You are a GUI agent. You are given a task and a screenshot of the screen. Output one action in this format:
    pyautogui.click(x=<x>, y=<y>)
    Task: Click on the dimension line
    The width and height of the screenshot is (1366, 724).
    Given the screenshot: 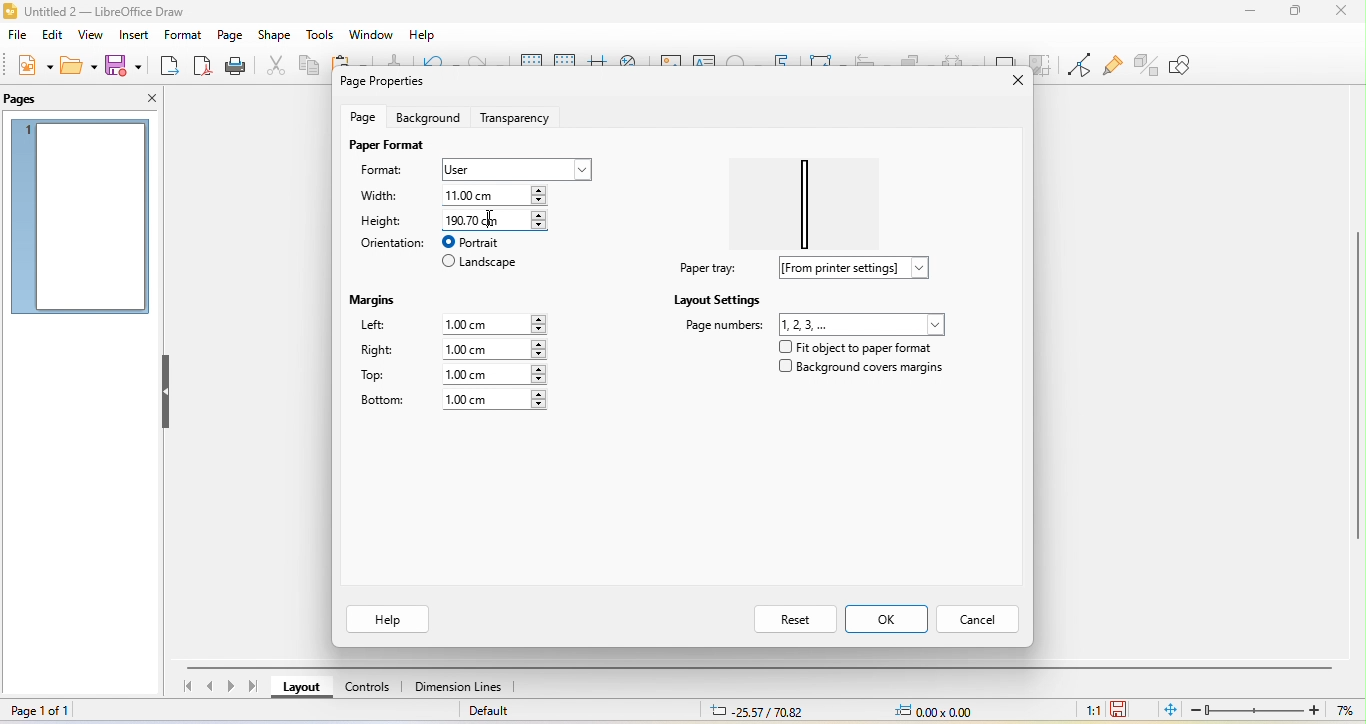 What is the action you would take?
    pyautogui.click(x=459, y=688)
    